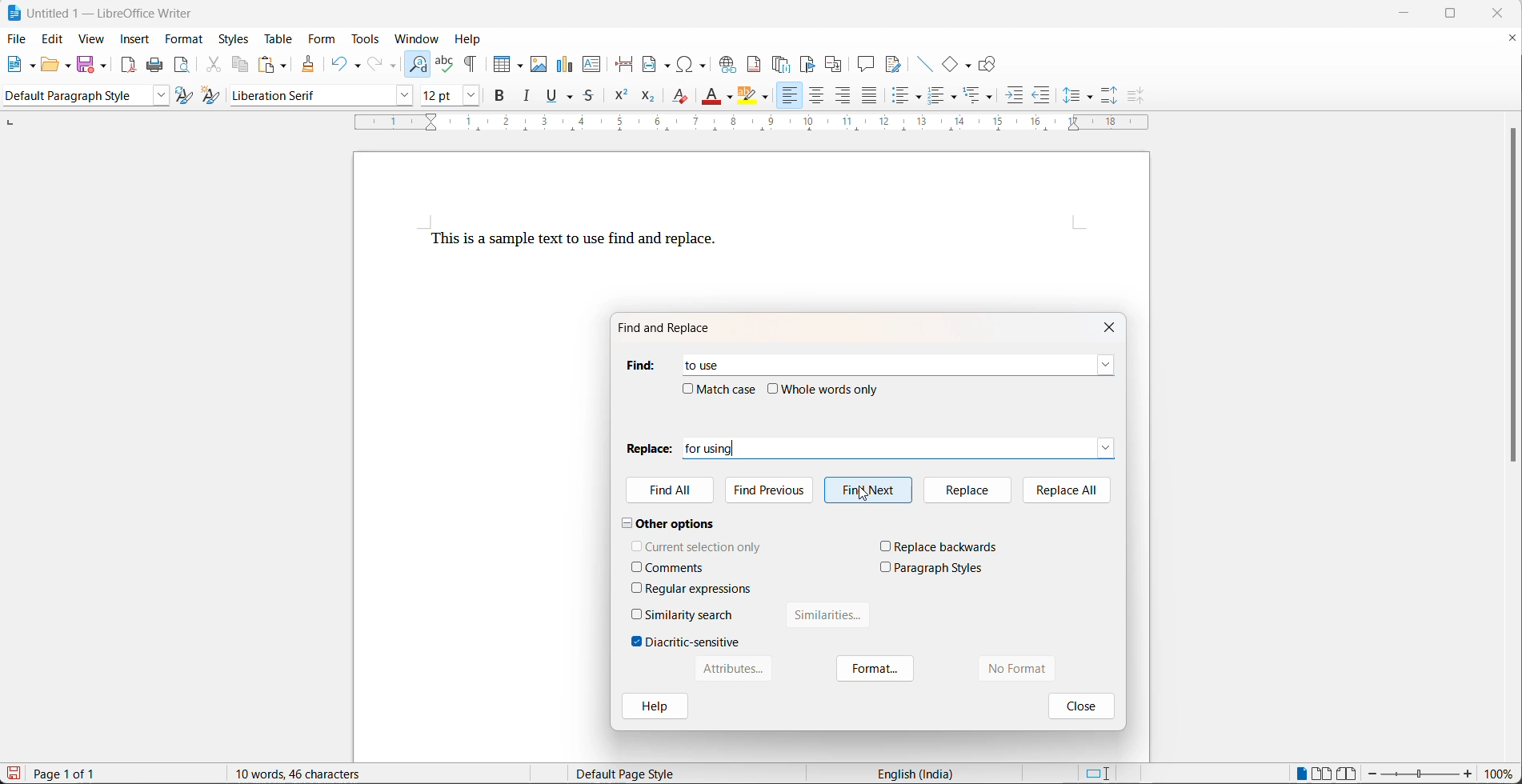 Image resolution: width=1522 pixels, height=784 pixels. What do you see at coordinates (419, 38) in the screenshot?
I see `window` at bounding box center [419, 38].